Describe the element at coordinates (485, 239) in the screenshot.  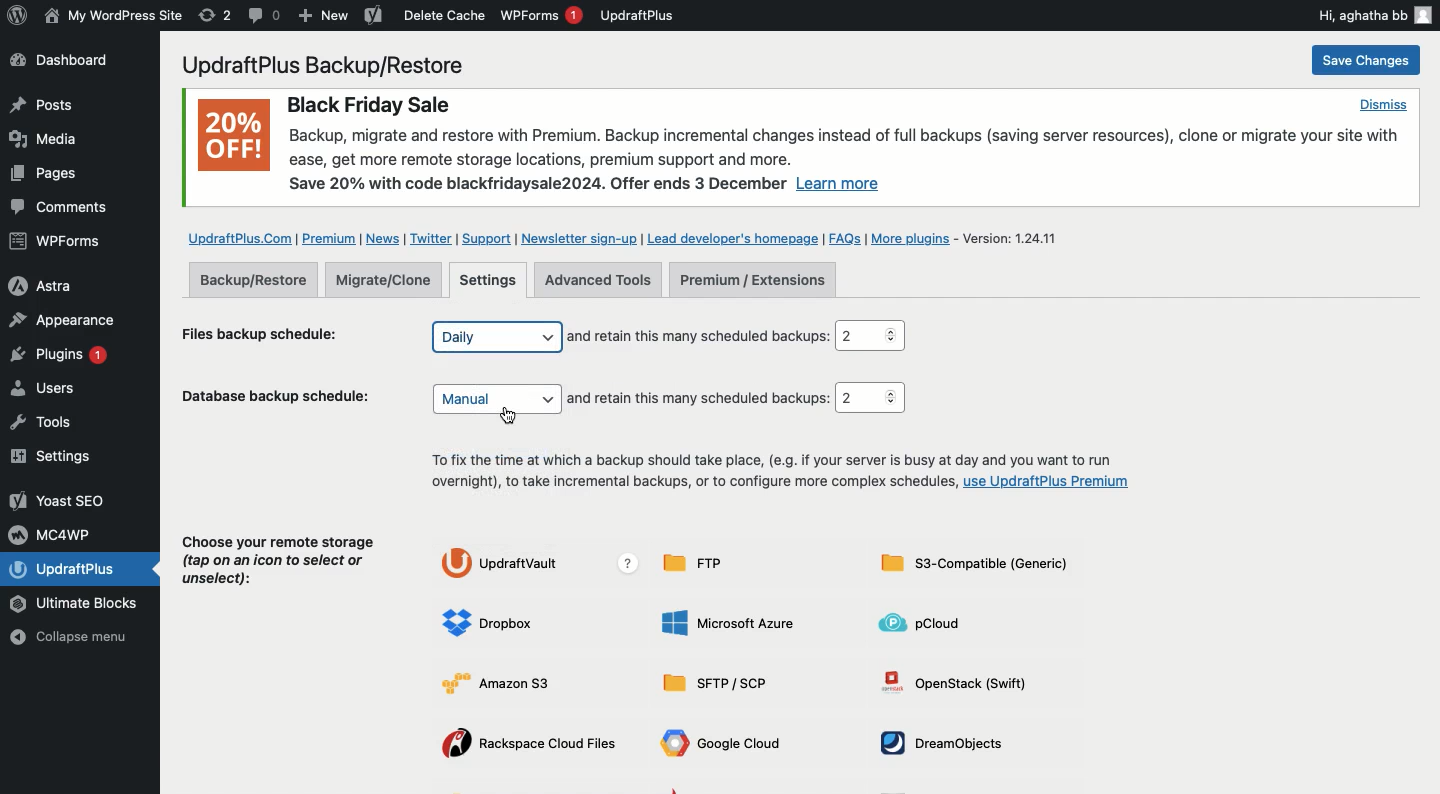
I see `Support` at that location.